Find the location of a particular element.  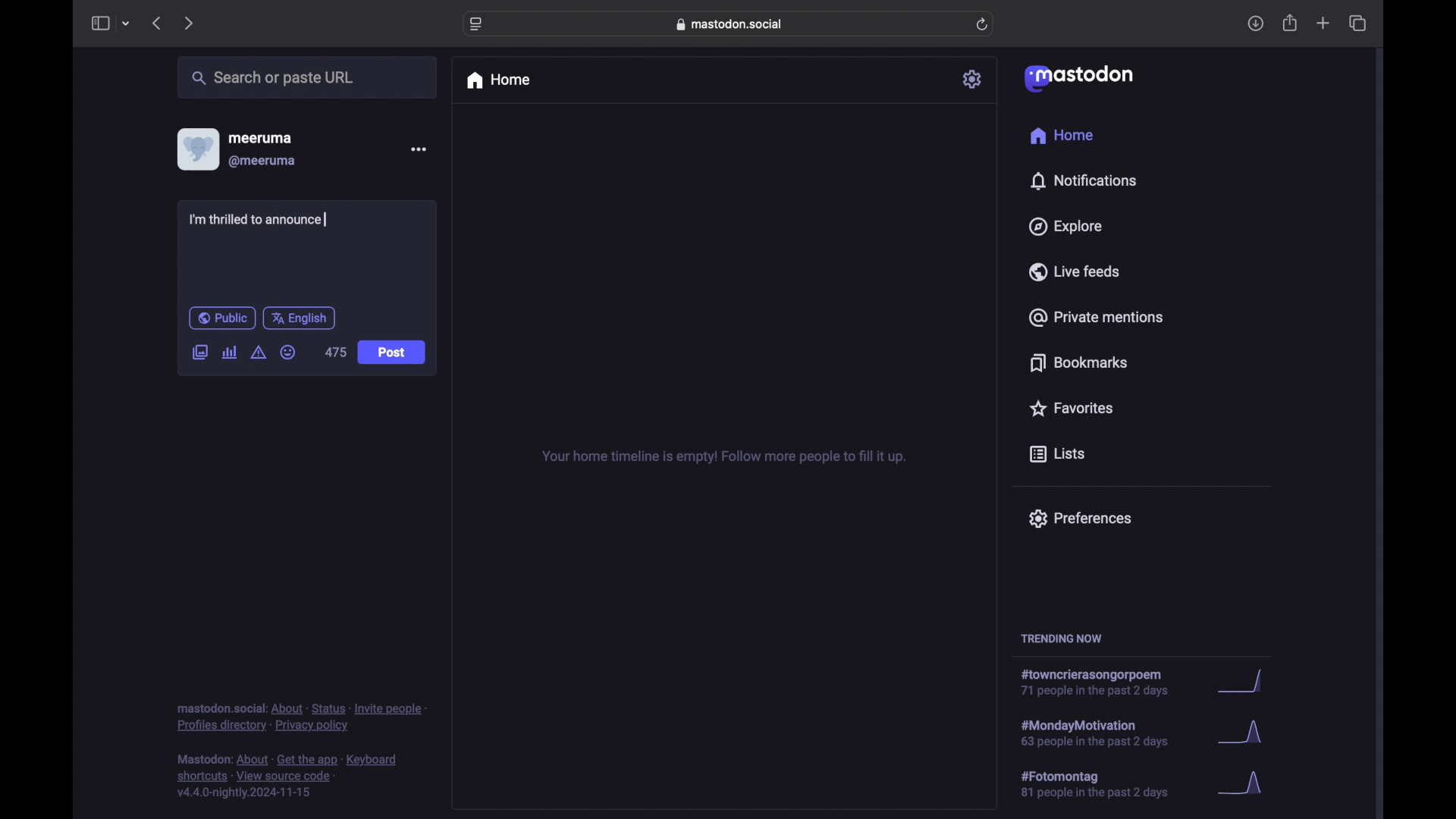

live feeds is located at coordinates (1073, 271).